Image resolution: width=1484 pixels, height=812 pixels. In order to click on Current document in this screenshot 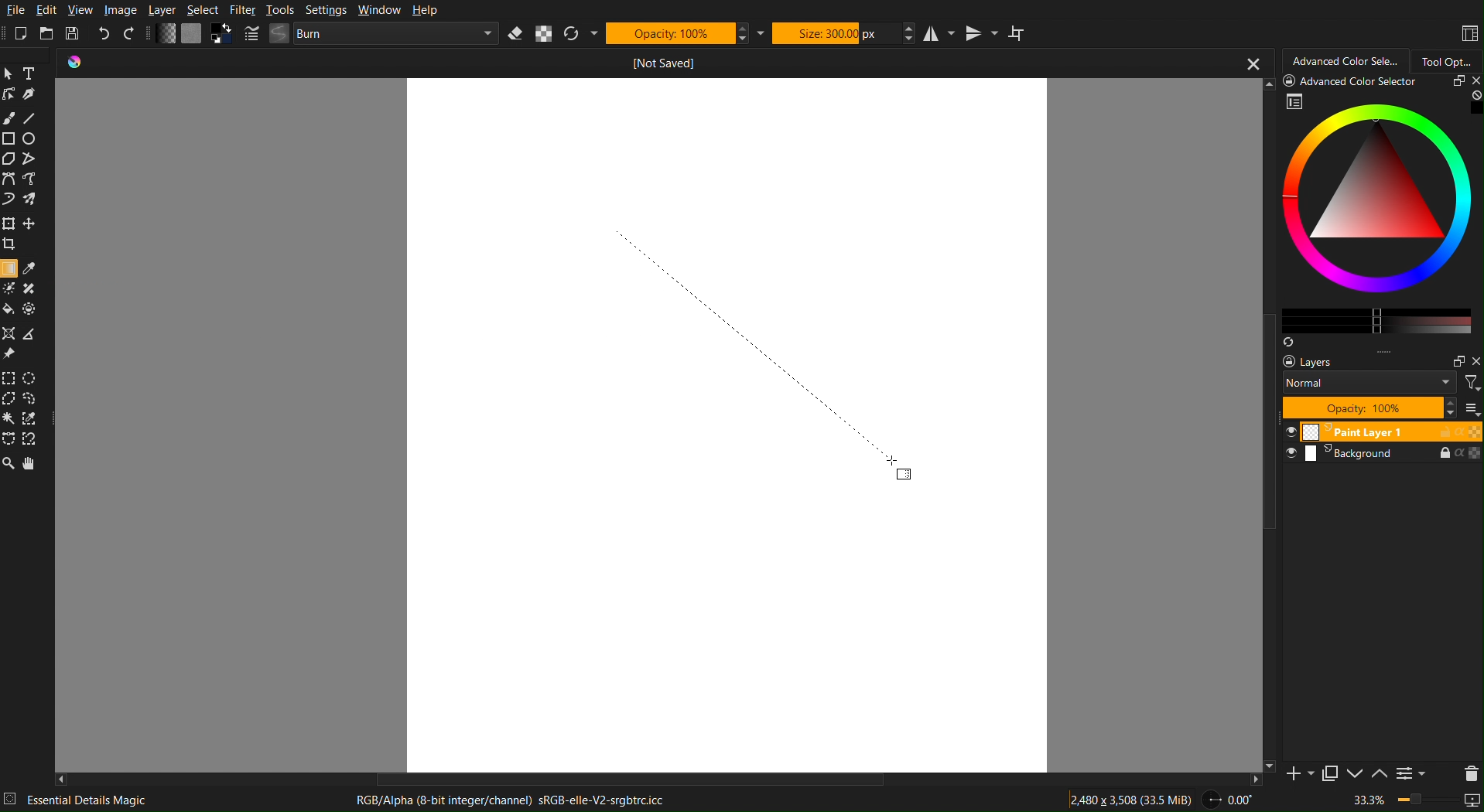, I will do `click(660, 63)`.